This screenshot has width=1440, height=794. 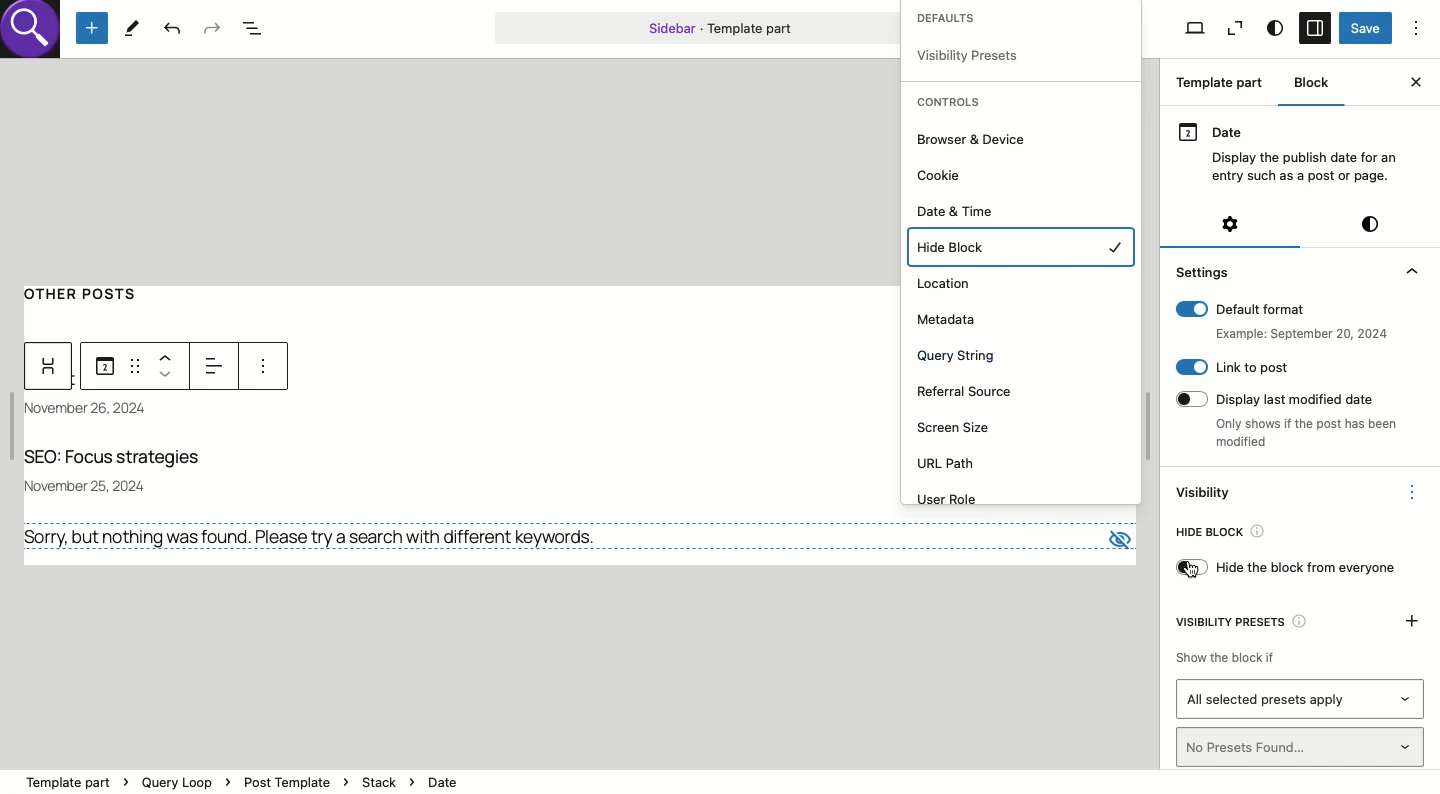 What do you see at coordinates (95, 483) in the screenshot?
I see `november 25, 2024` at bounding box center [95, 483].